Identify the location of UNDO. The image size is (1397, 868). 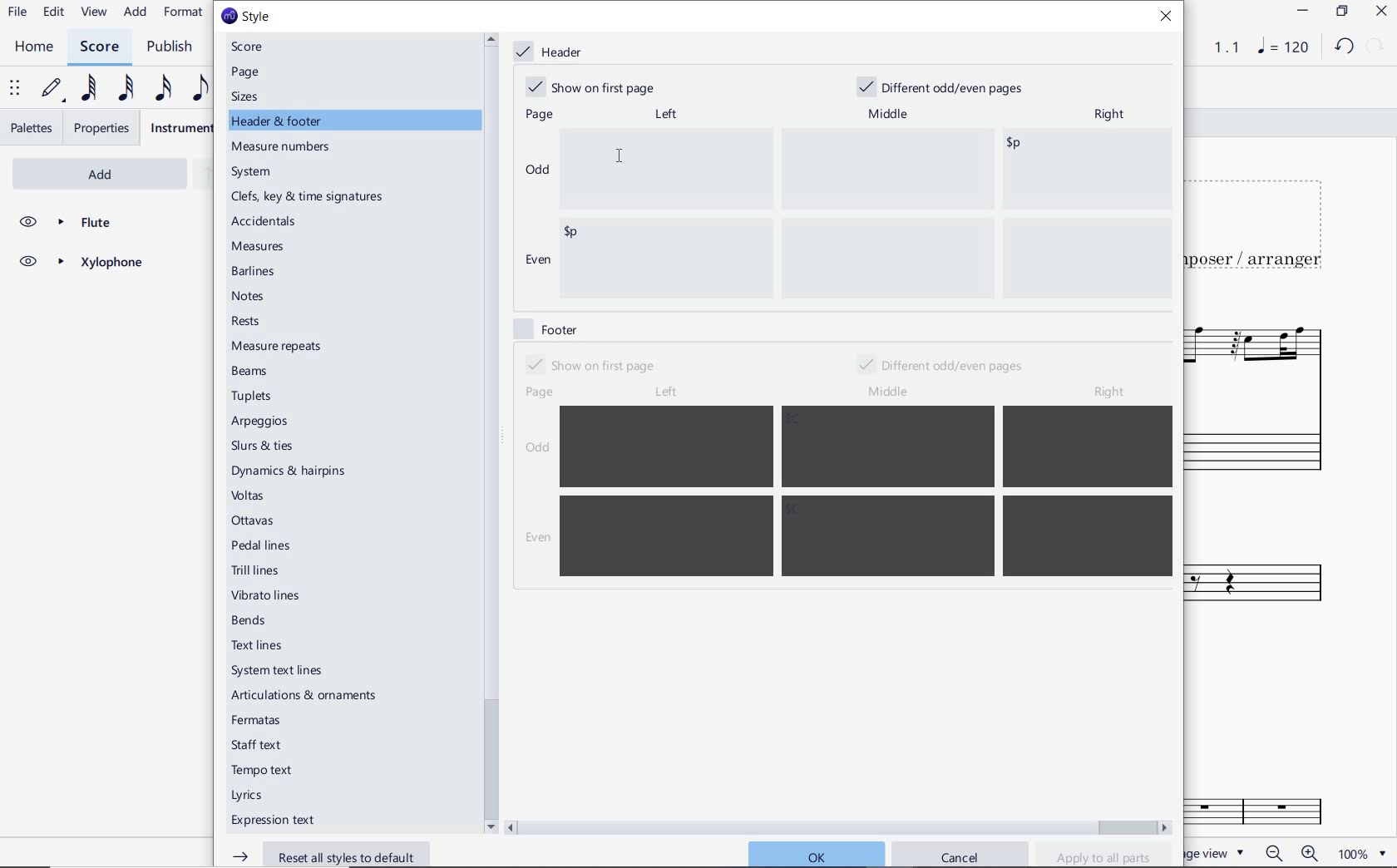
(1343, 47).